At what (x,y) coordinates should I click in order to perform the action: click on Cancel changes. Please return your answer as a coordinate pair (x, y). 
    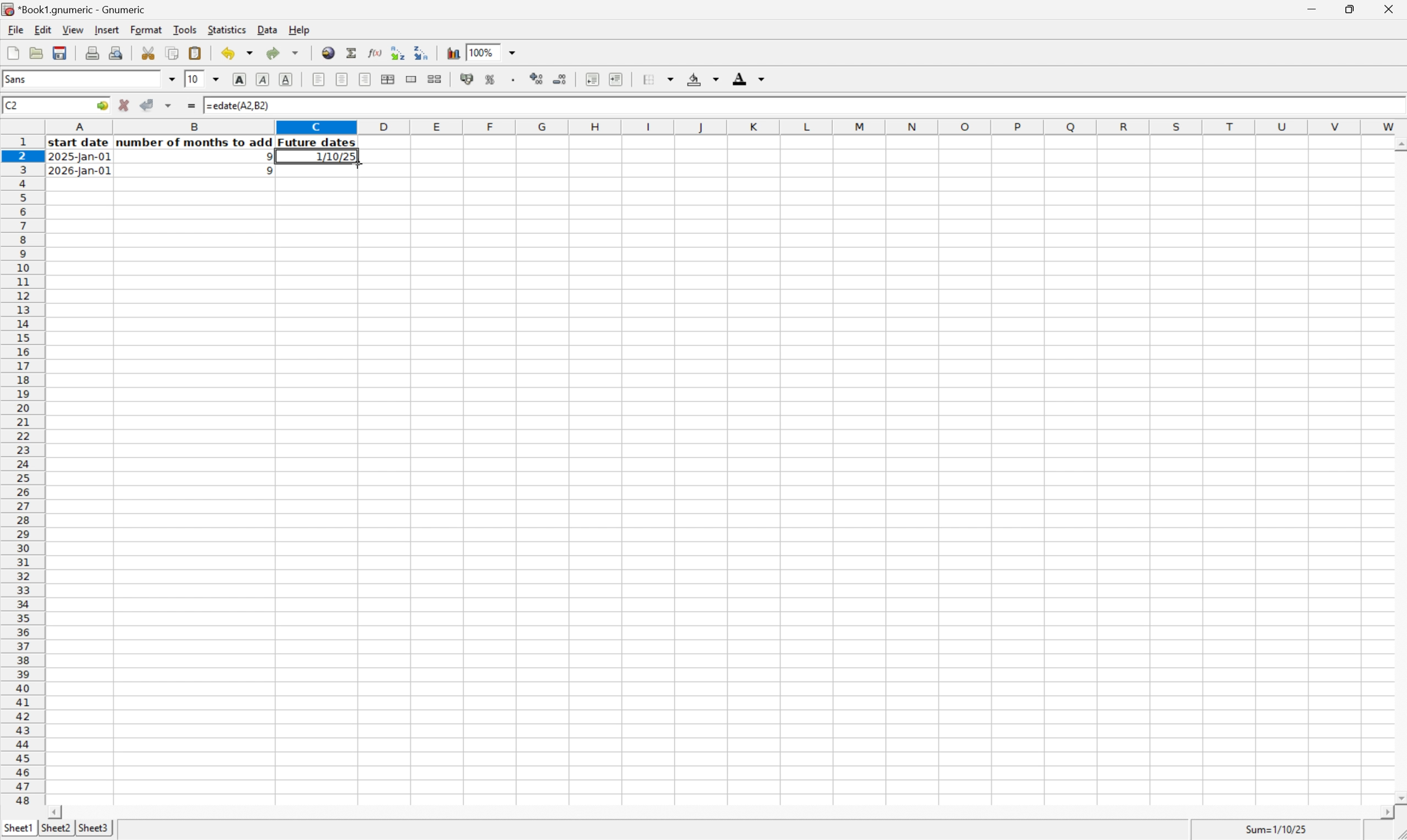
    Looking at the image, I should click on (126, 105).